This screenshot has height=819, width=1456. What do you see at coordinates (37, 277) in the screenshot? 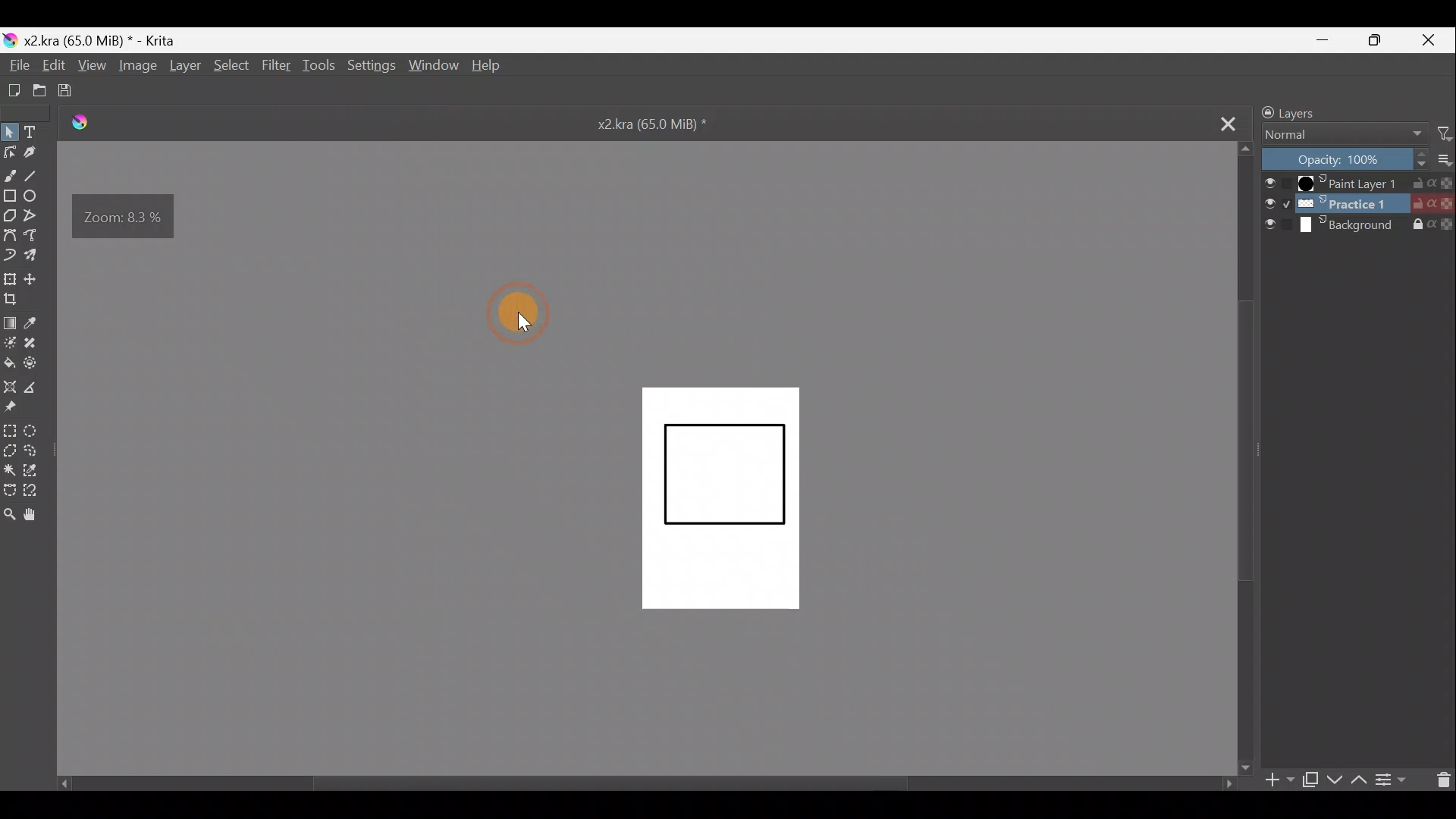
I see `Move layer` at bounding box center [37, 277].